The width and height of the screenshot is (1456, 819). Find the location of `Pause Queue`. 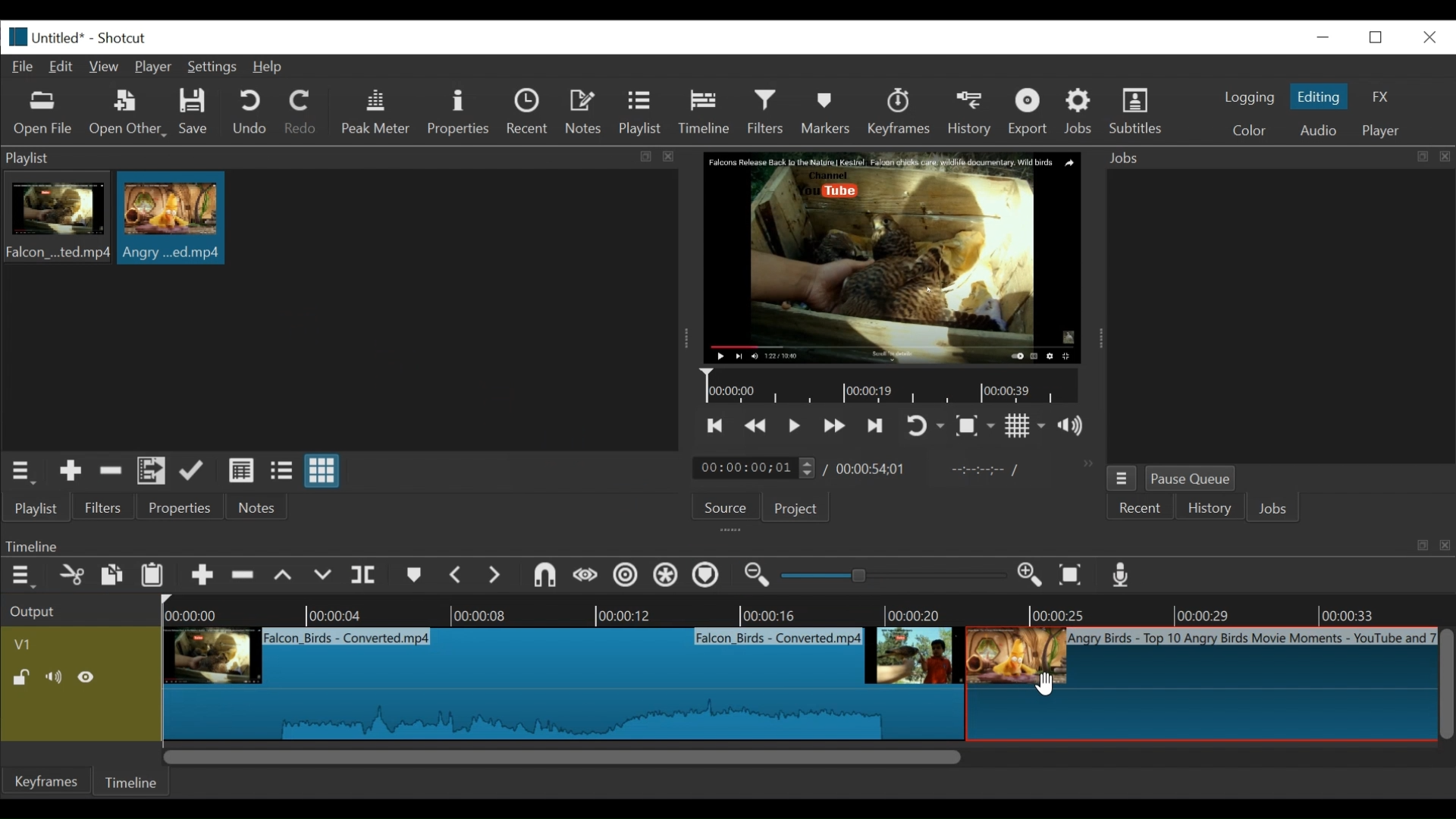

Pause Queue is located at coordinates (1191, 482).